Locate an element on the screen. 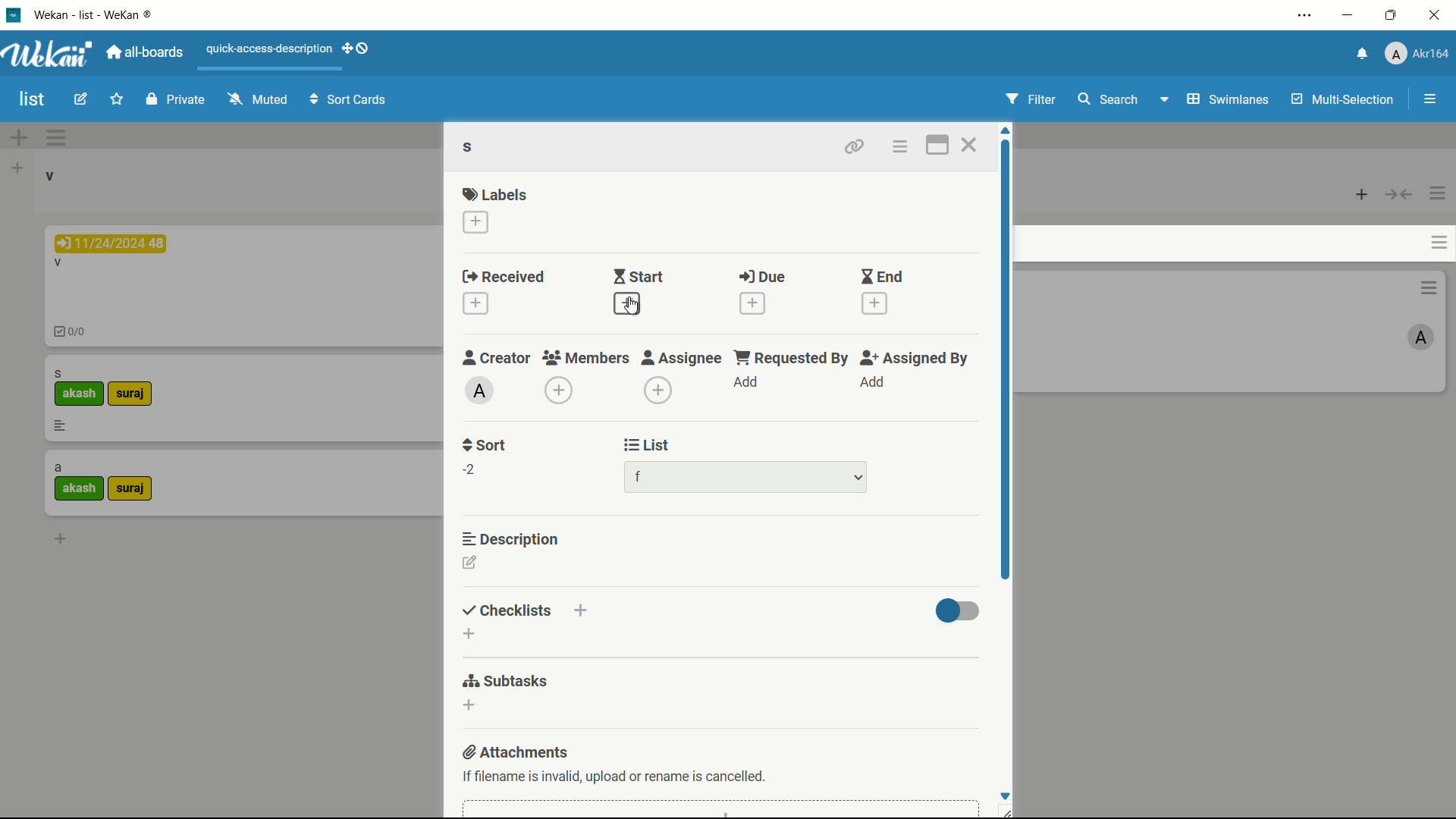 This screenshot has width=1456, height=819. close app is located at coordinates (1435, 17).